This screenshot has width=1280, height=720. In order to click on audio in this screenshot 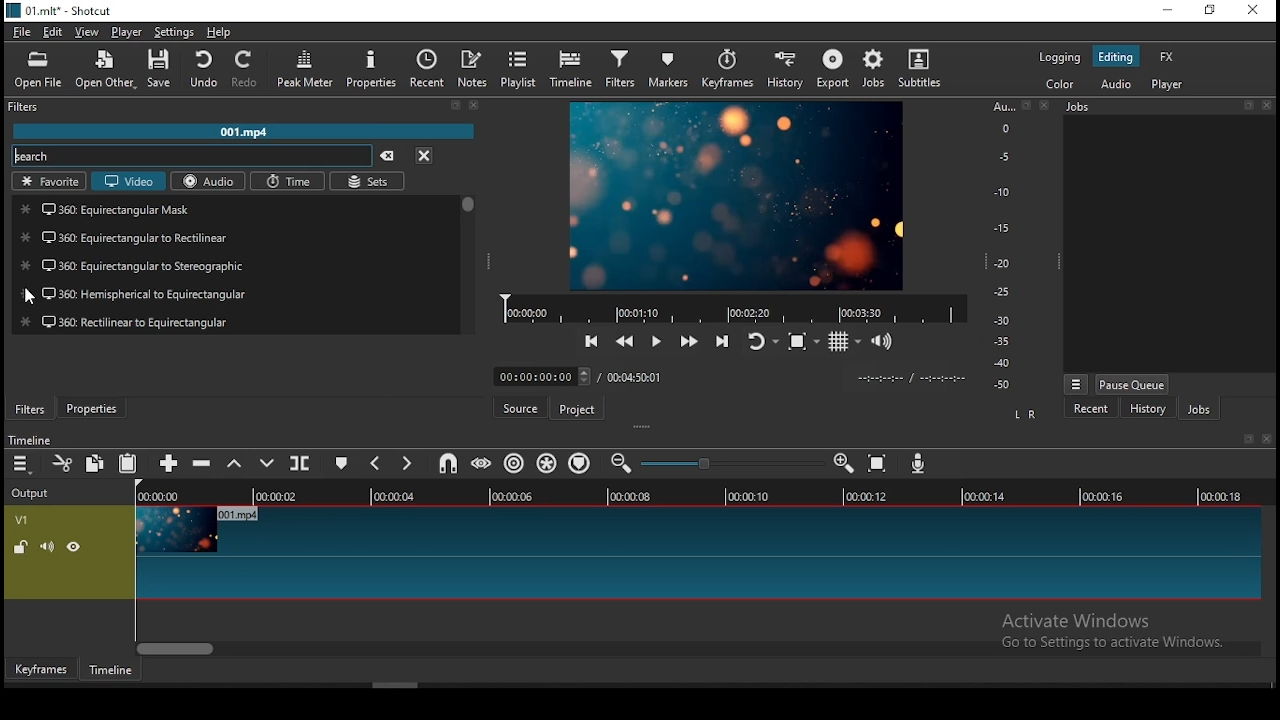, I will do `click(1120, 84)`.